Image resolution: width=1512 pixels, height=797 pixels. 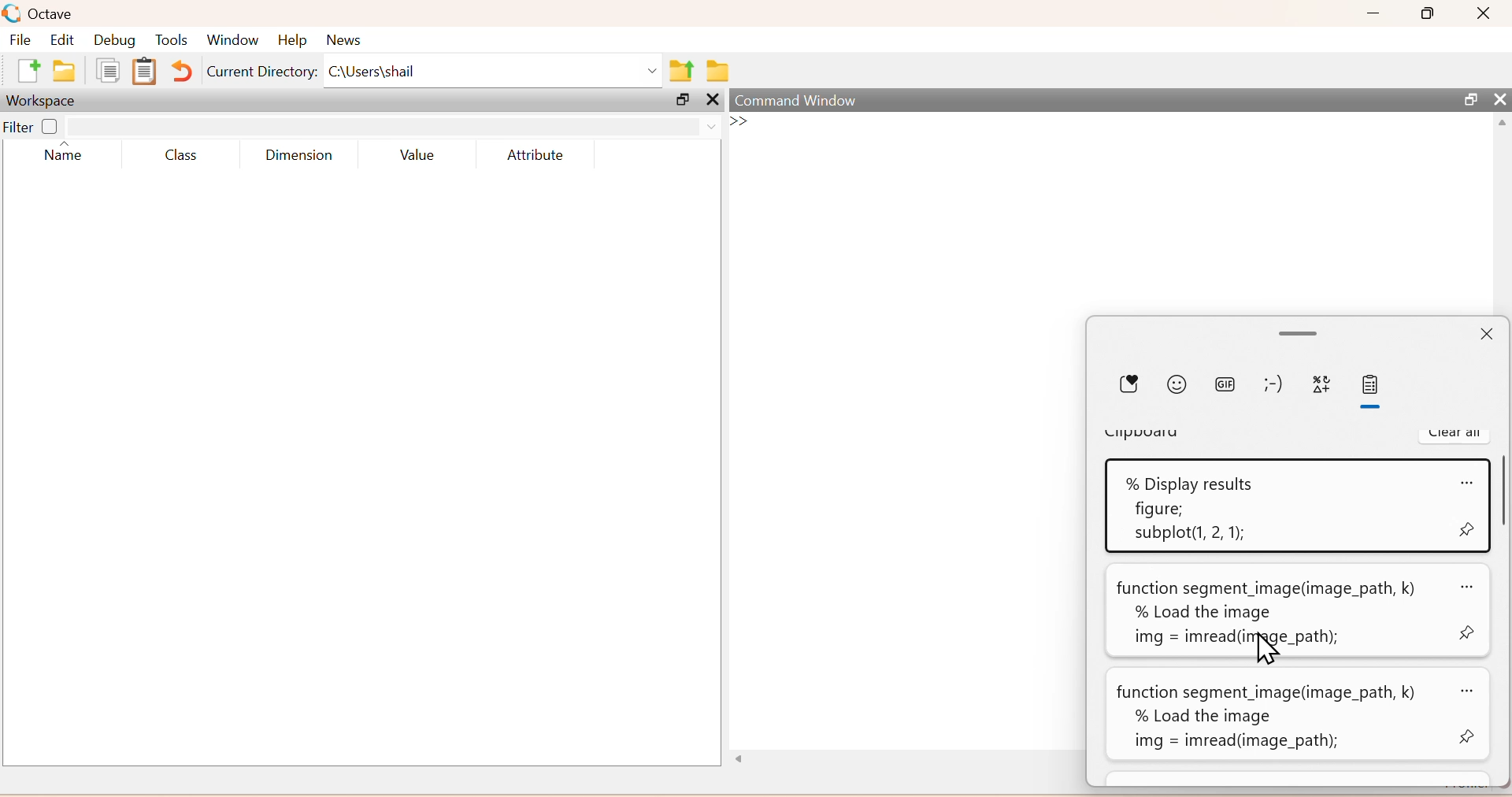 I want to click on Debug, so click(x=113, y=42).